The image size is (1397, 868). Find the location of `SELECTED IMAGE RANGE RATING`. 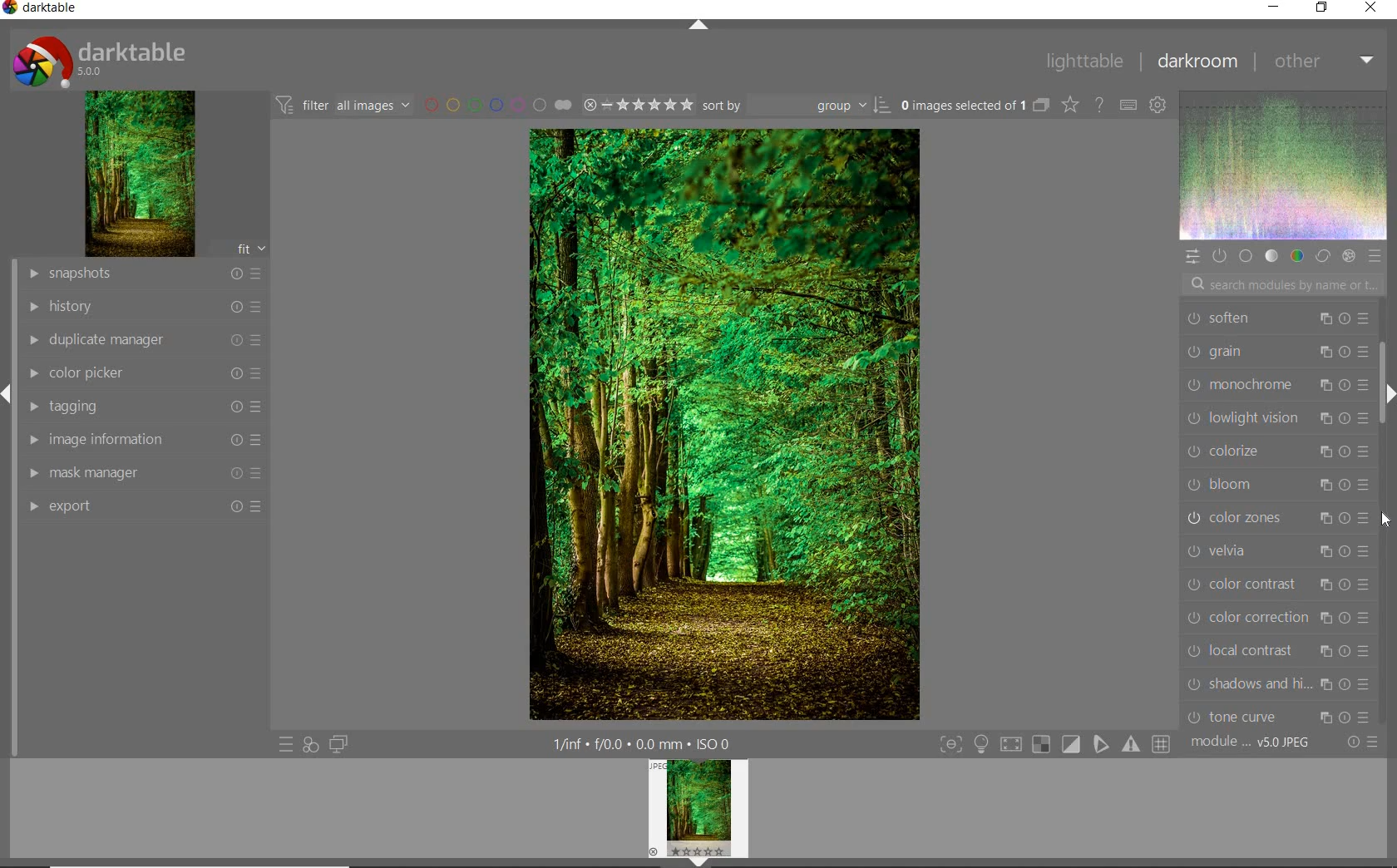

SELECTED IMAGE RANGE RATING is located at coordinates (636, 103).